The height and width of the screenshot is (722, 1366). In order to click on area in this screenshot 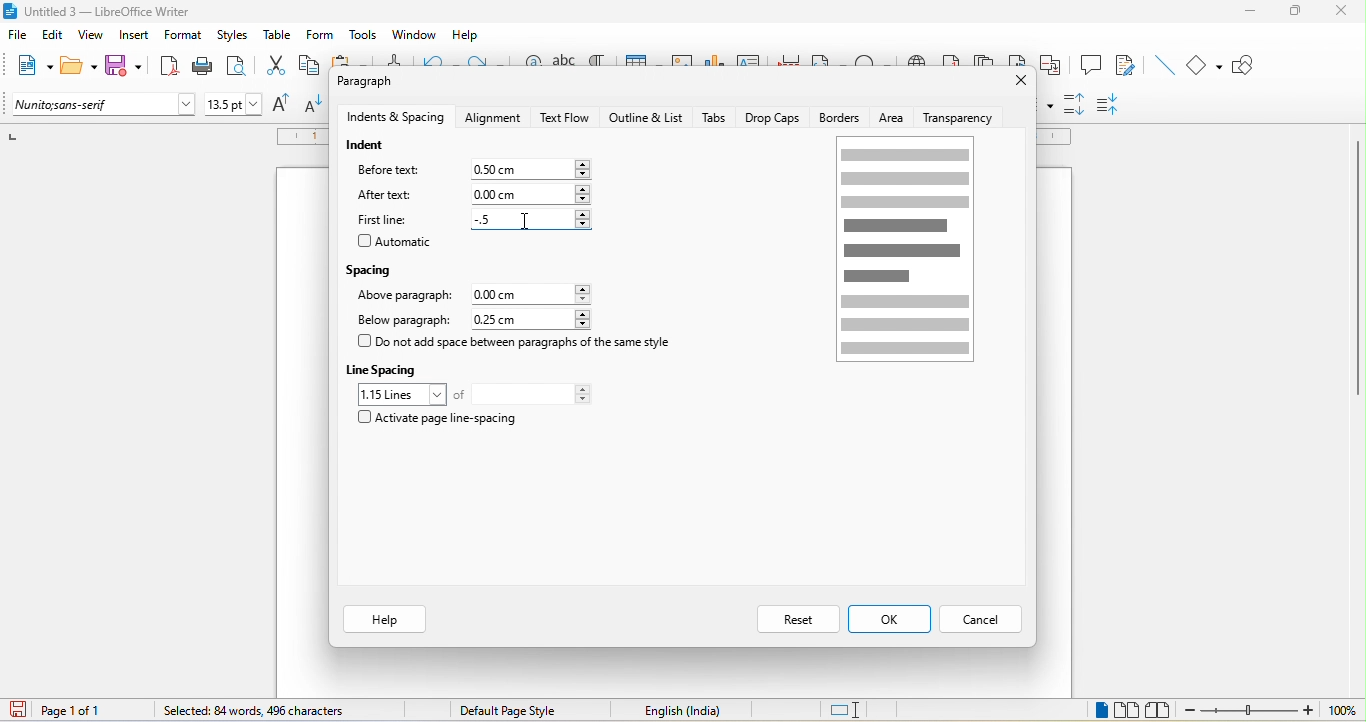, I will do `click(892, 118)`.